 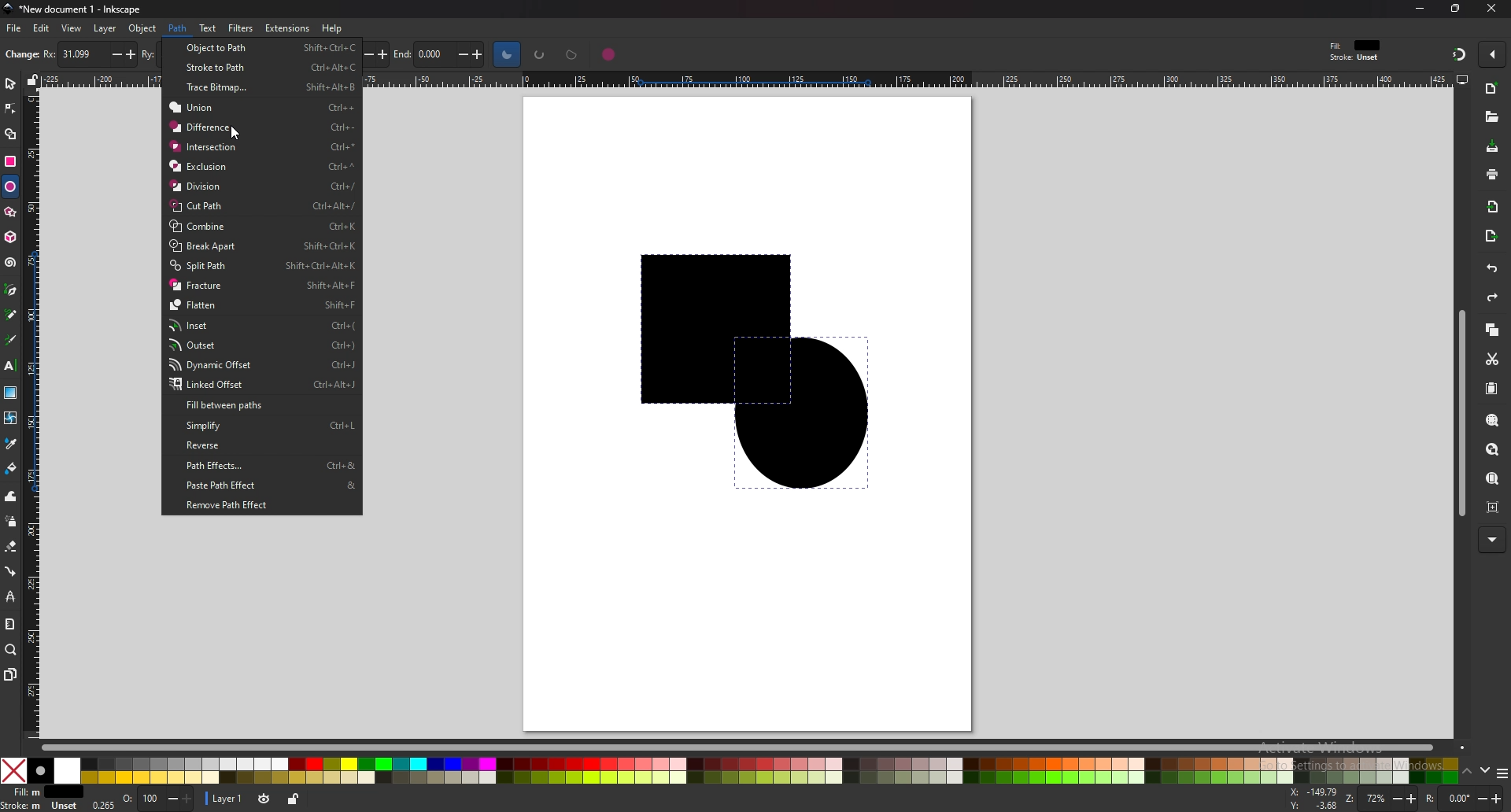 What do you see at coordinates (261, 147) in the screenshot?
I see `Intersection` at bounding box center [261, 147].